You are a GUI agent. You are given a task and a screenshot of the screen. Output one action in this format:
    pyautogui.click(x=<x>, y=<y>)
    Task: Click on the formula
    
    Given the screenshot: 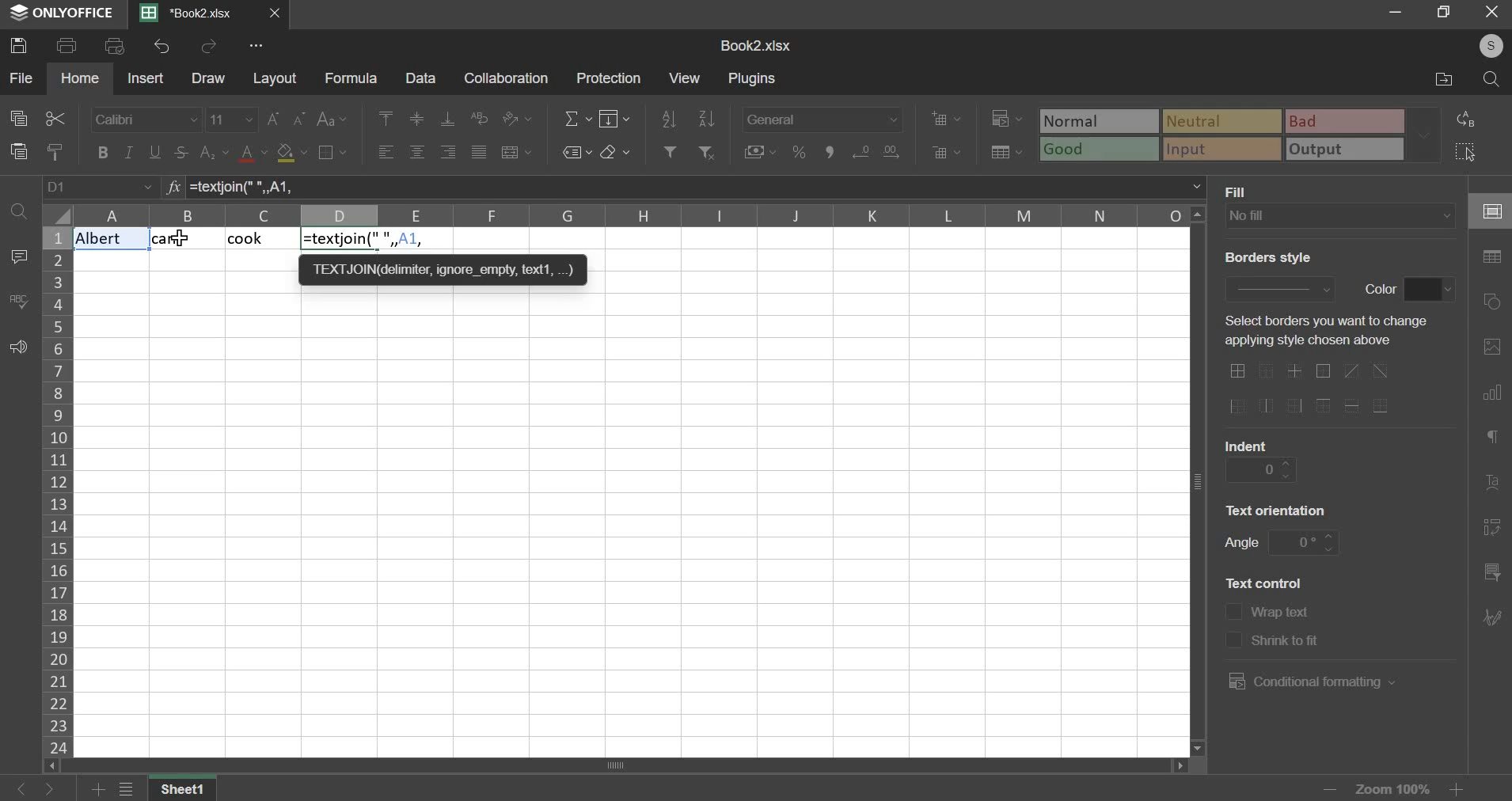 What is the action you would take?
    pyautogui.click(x=366, y=240)
    